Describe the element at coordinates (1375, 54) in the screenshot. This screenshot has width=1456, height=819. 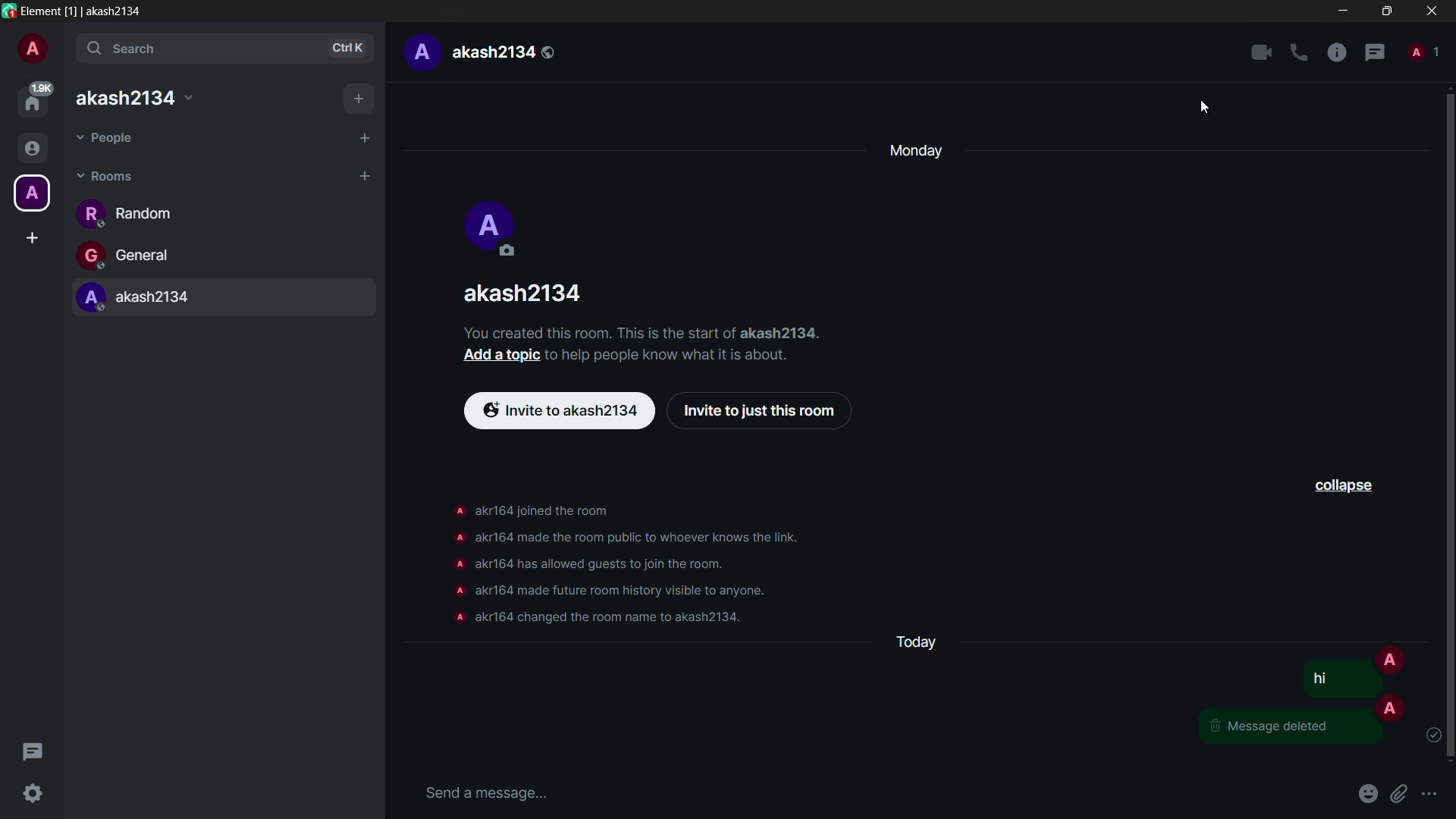
I see `threads` at that location.